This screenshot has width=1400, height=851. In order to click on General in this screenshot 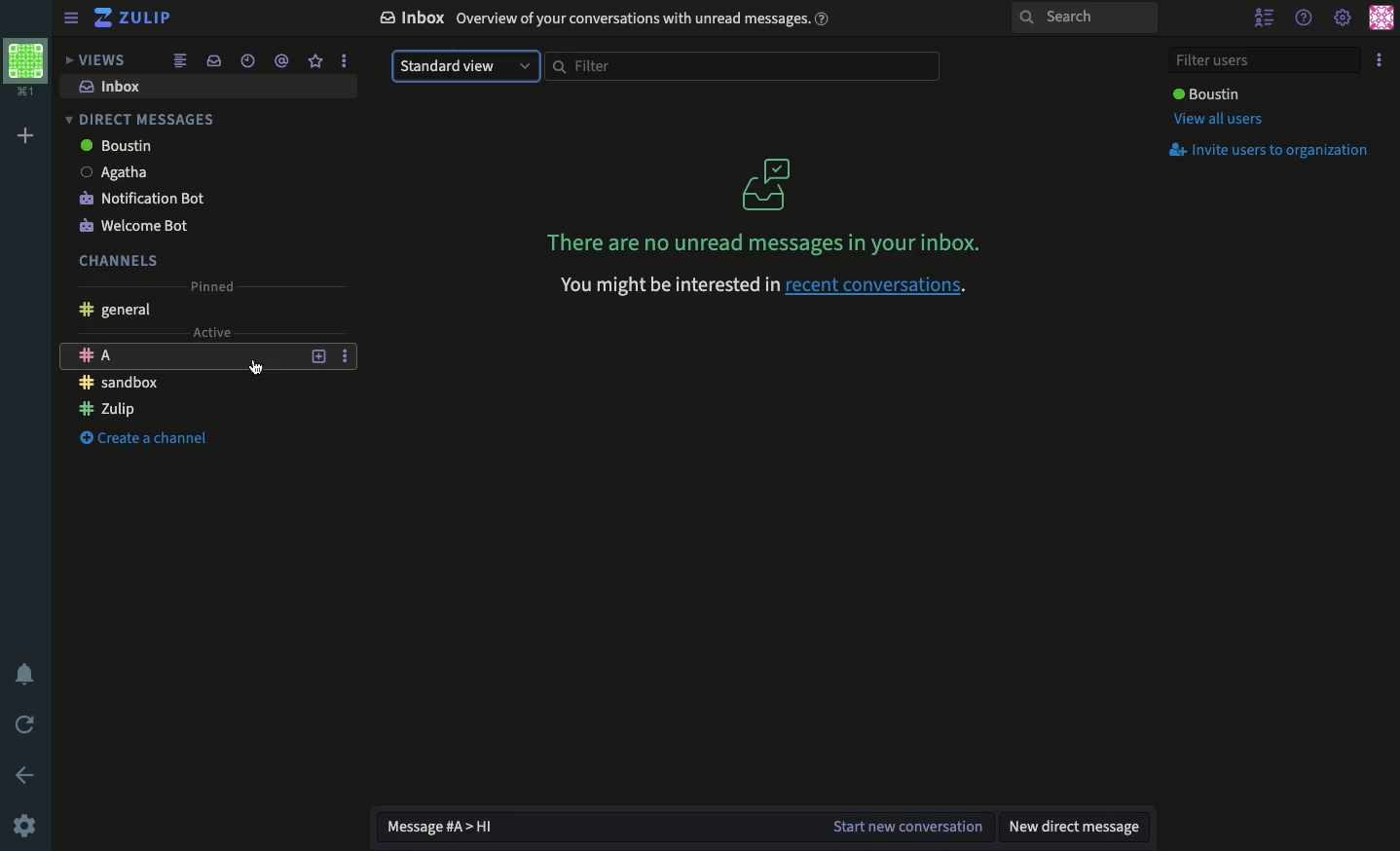, I will do `click(116, 311)`.